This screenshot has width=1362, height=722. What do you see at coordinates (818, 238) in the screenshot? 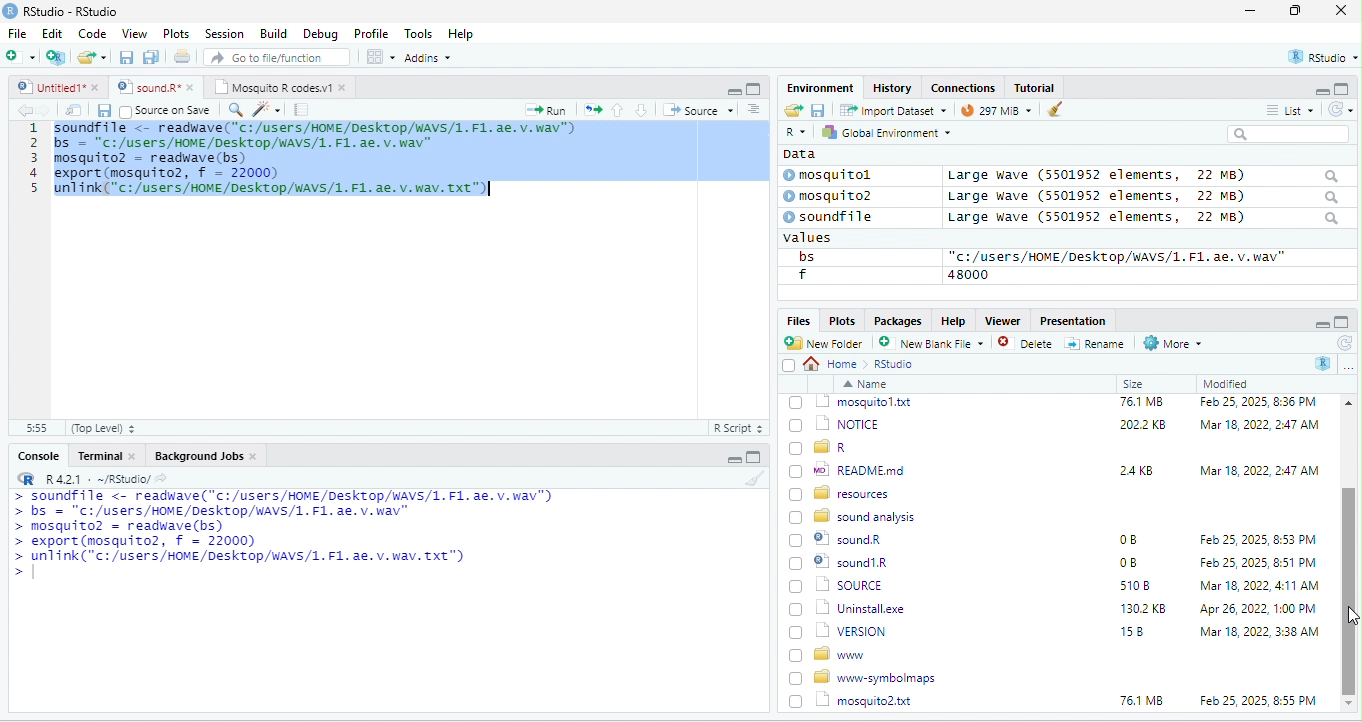
I see `values` at bounding box center [818, 238].